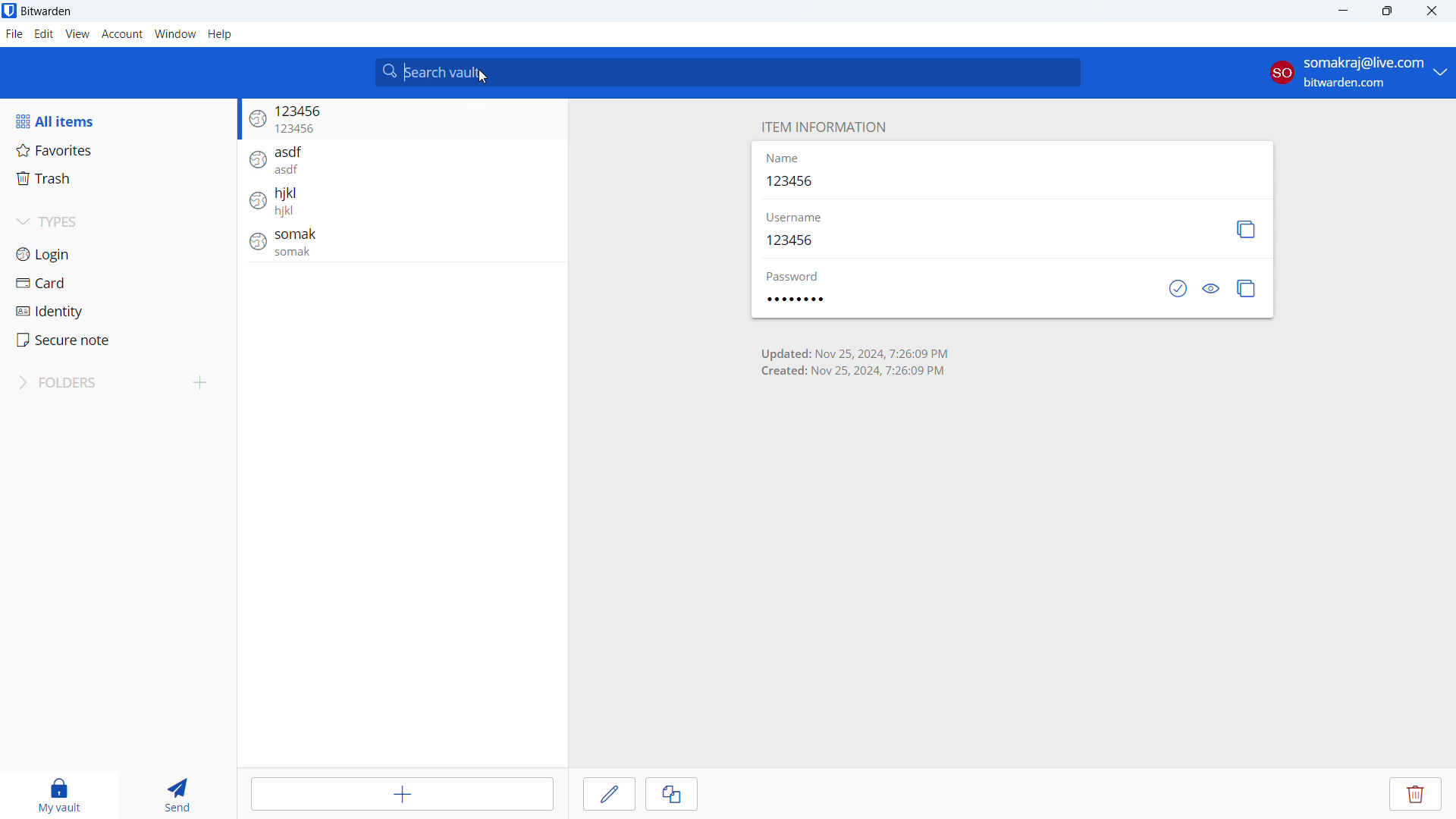  I want to click on my vault, so click(59, 793).